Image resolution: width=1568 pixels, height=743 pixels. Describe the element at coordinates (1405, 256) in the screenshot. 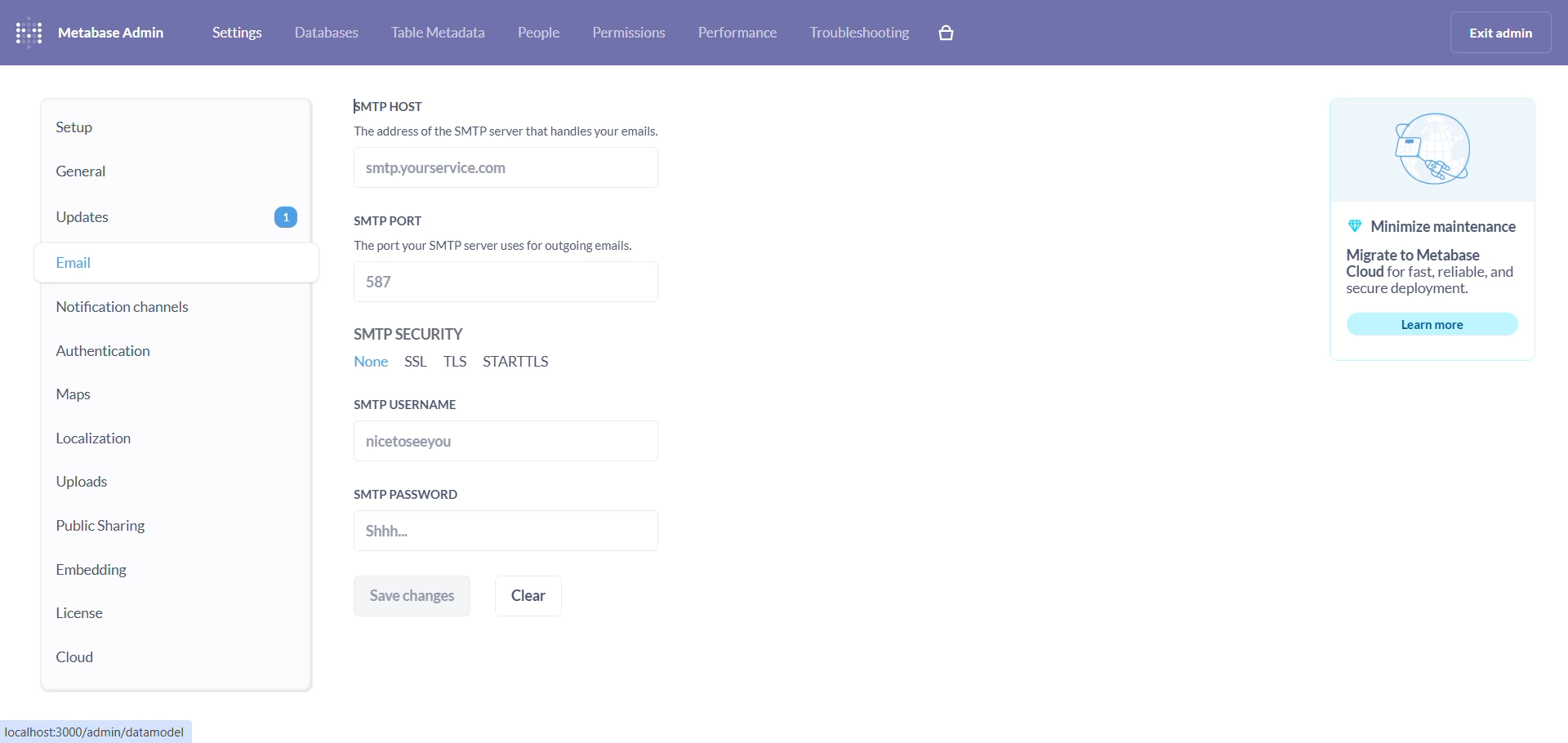

I see `@ Minimize maintenance
Migrate to Metabase
Cloud for fast, reliable, and
secure deployment.` at that location.